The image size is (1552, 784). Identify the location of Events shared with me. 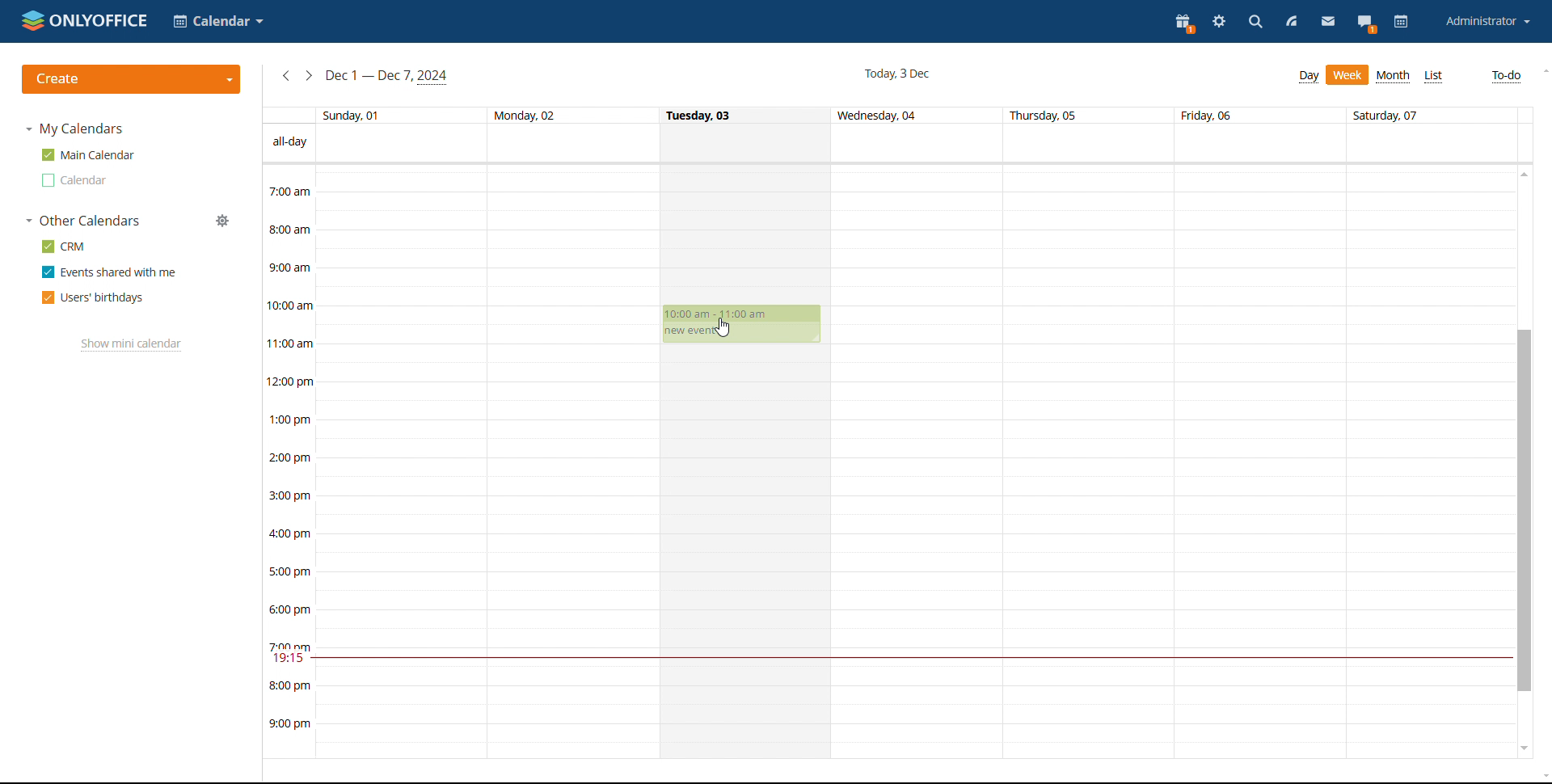
(107, 272).